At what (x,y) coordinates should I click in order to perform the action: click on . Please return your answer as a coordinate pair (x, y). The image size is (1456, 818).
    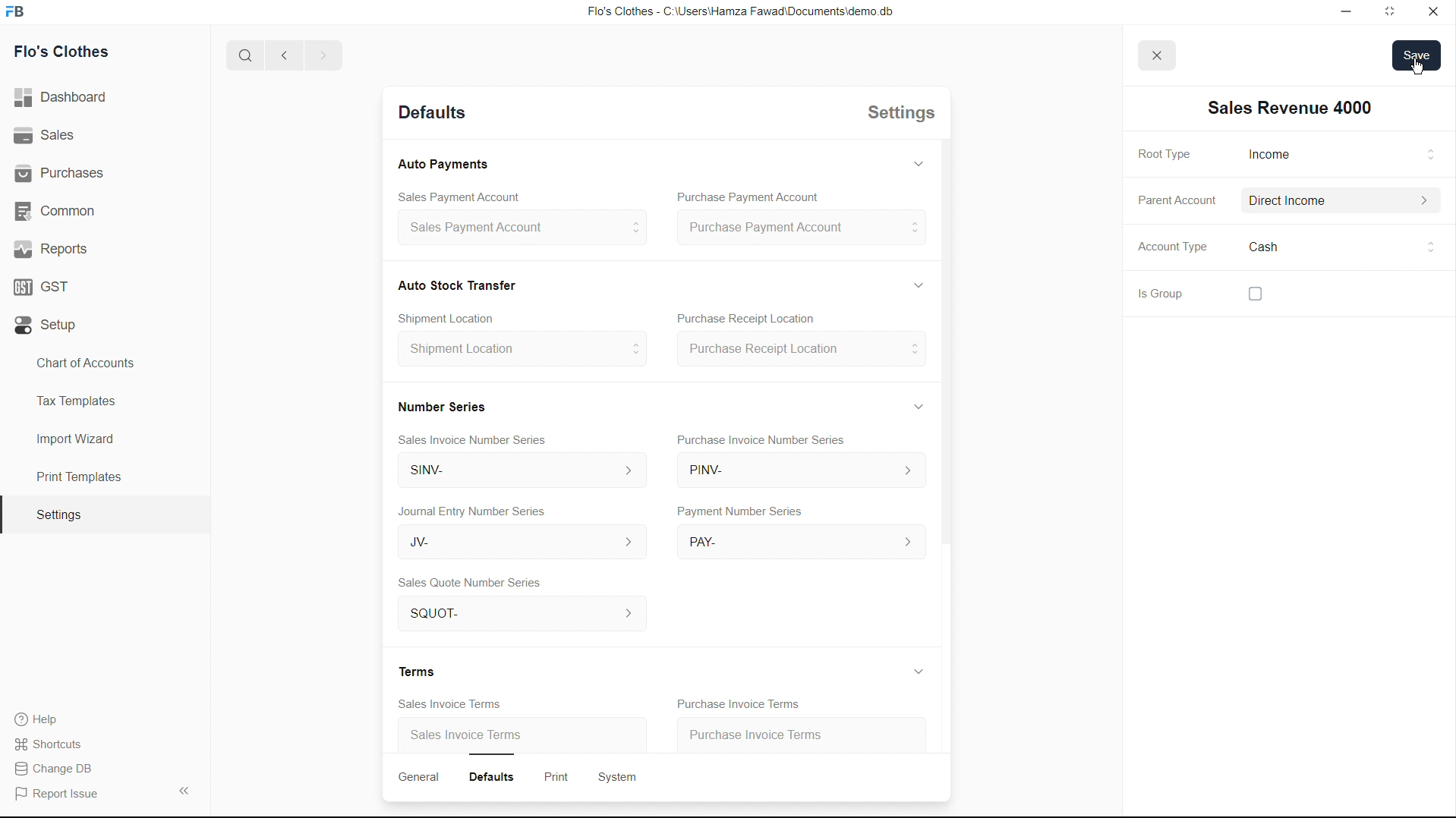
    Looking at the image, I should click on (1426, 201).